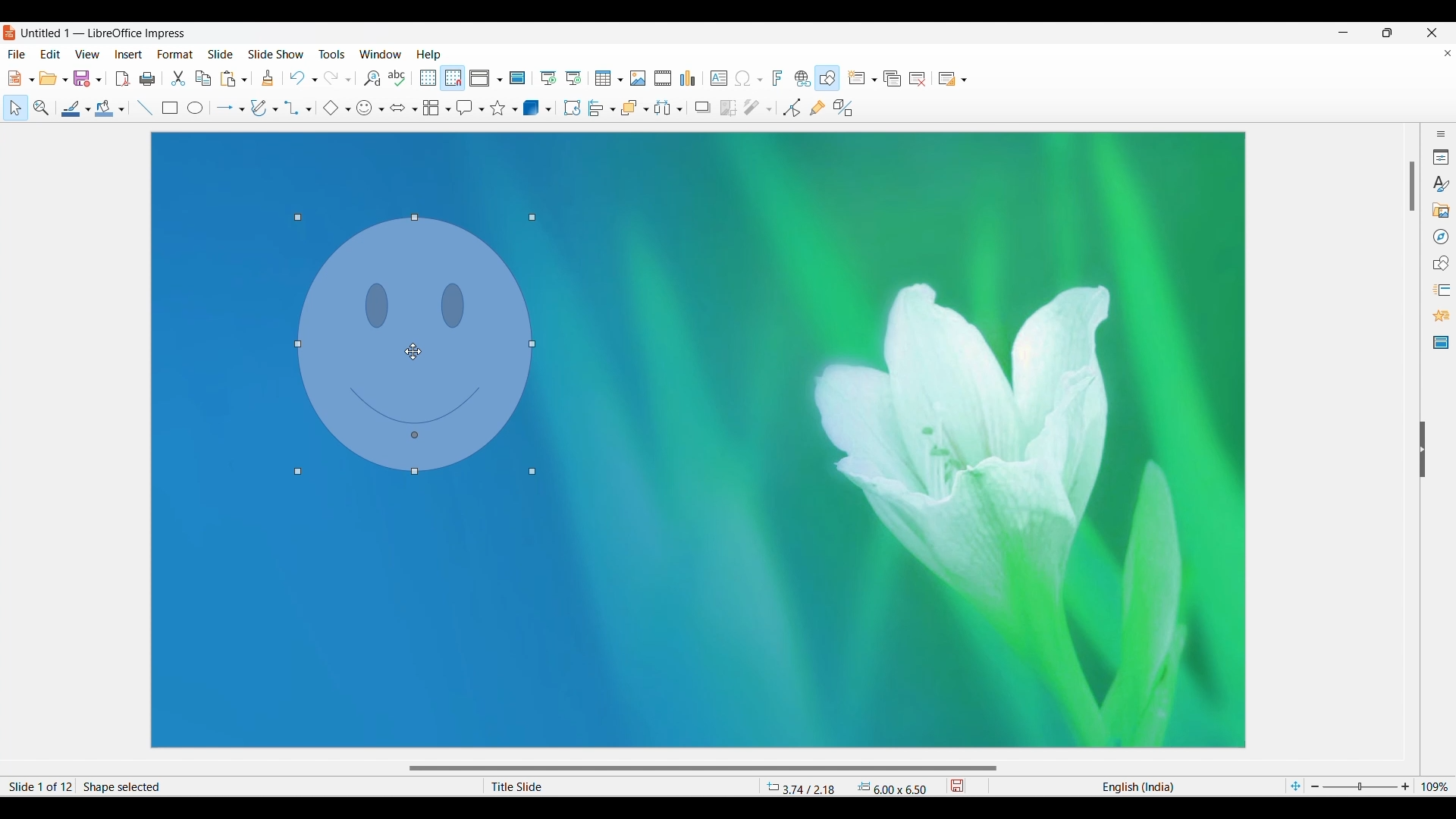 The height and width of the screenshot is (819, 1456). What do you see at coordinates (122, 78) in the screenshot?
I see `Export directly as PDF` at bounding box center [122, 78].